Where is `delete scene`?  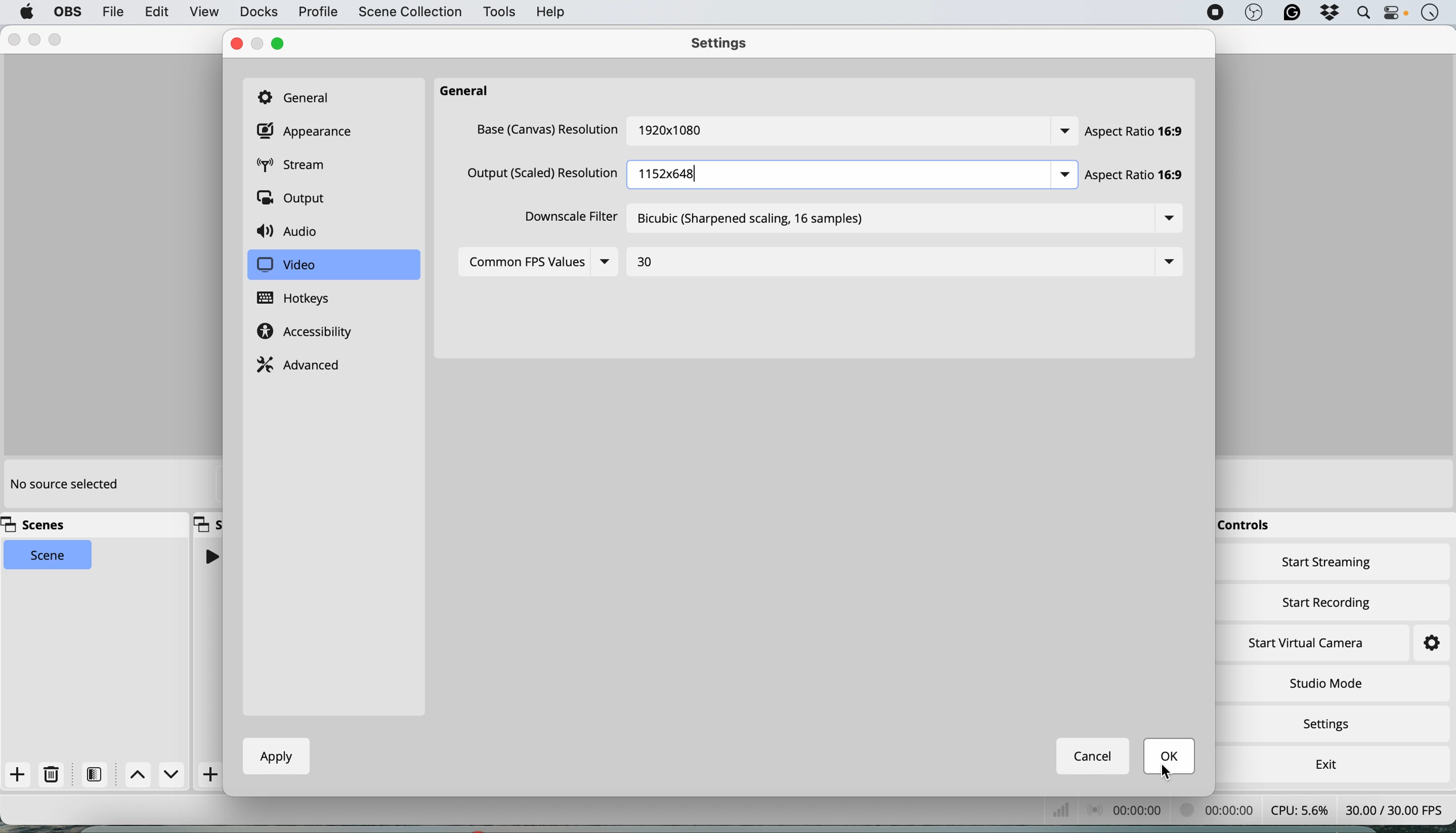
delete scene is located at coordinates (52, 775).